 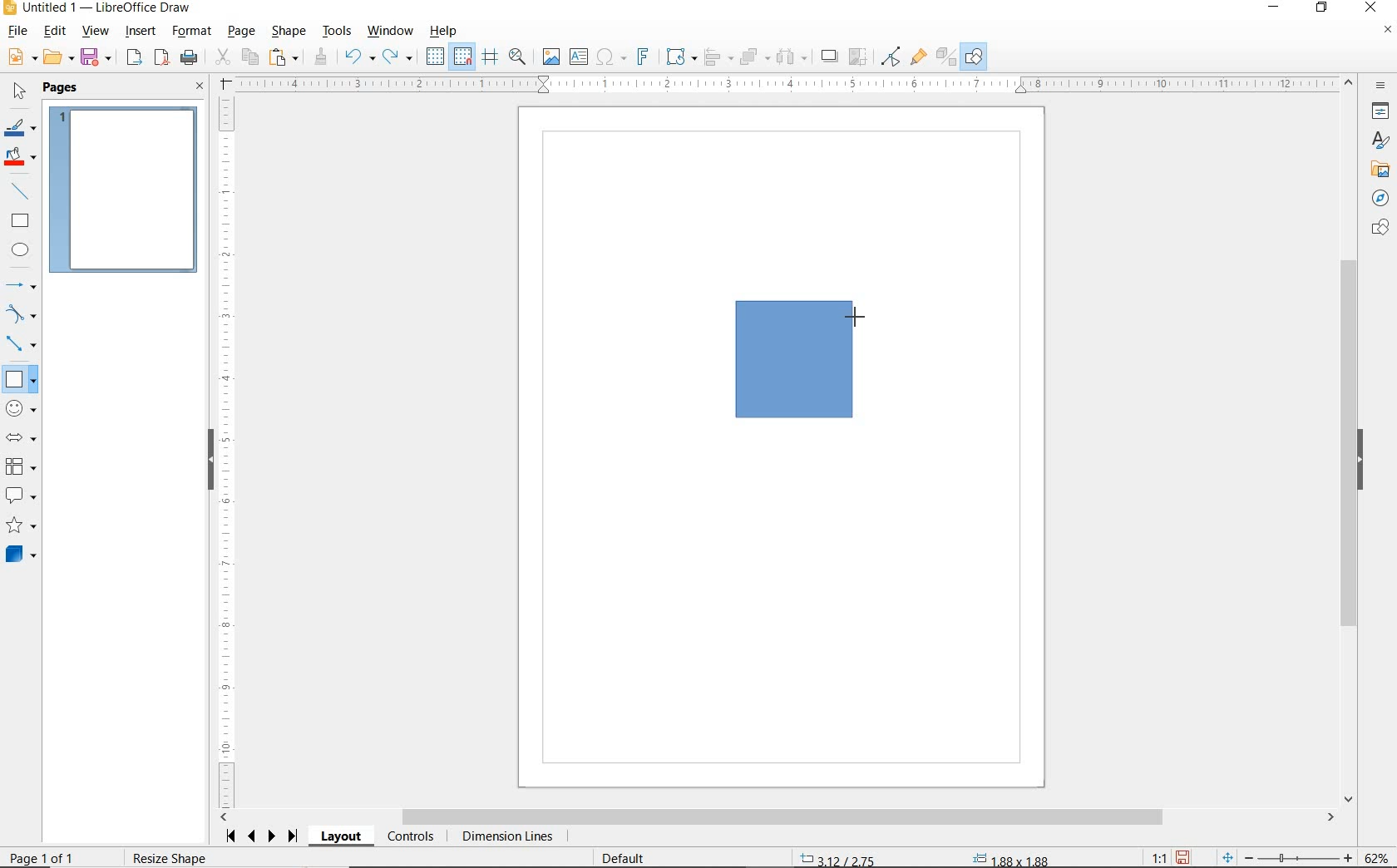 What do you see at coordinates (320, 57) in the screenshot?
I see `CLONE FORMATTING` at bounding box center [320, 57].